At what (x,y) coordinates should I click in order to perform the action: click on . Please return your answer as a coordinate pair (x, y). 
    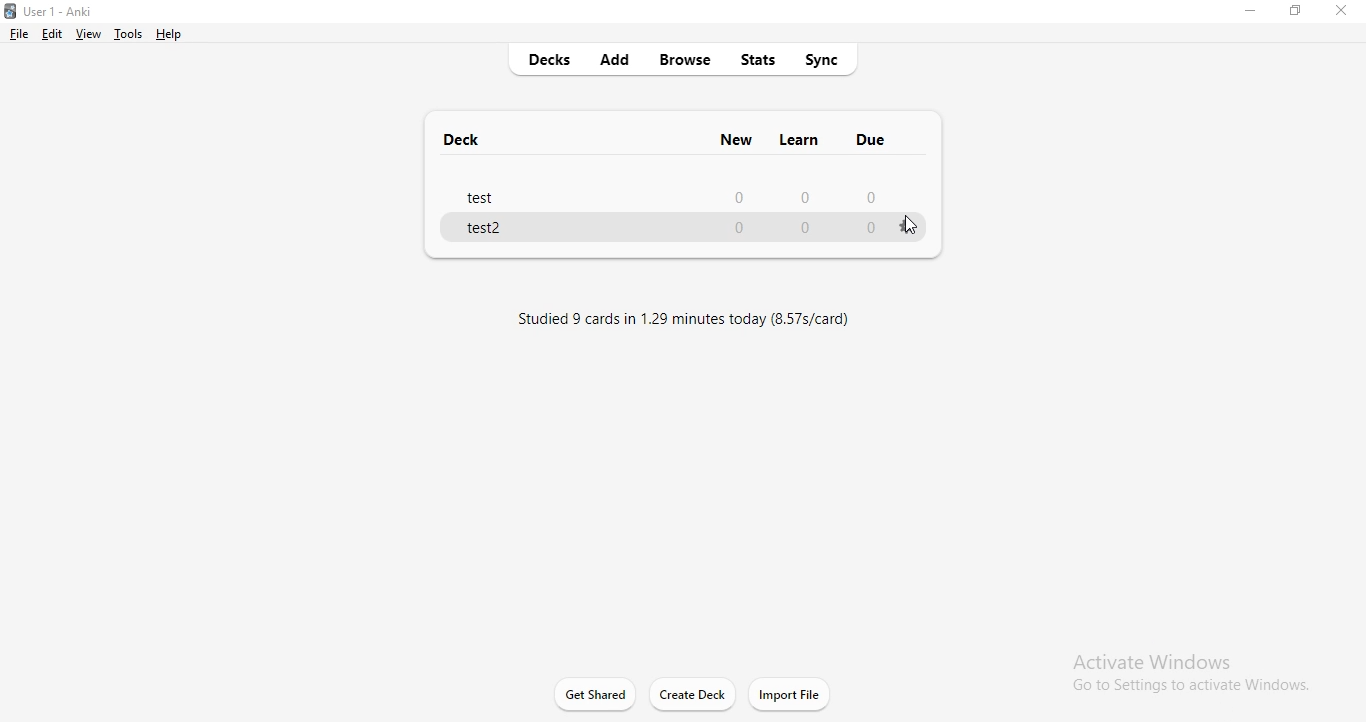
    Looking at the image, I should click on (759, 60).